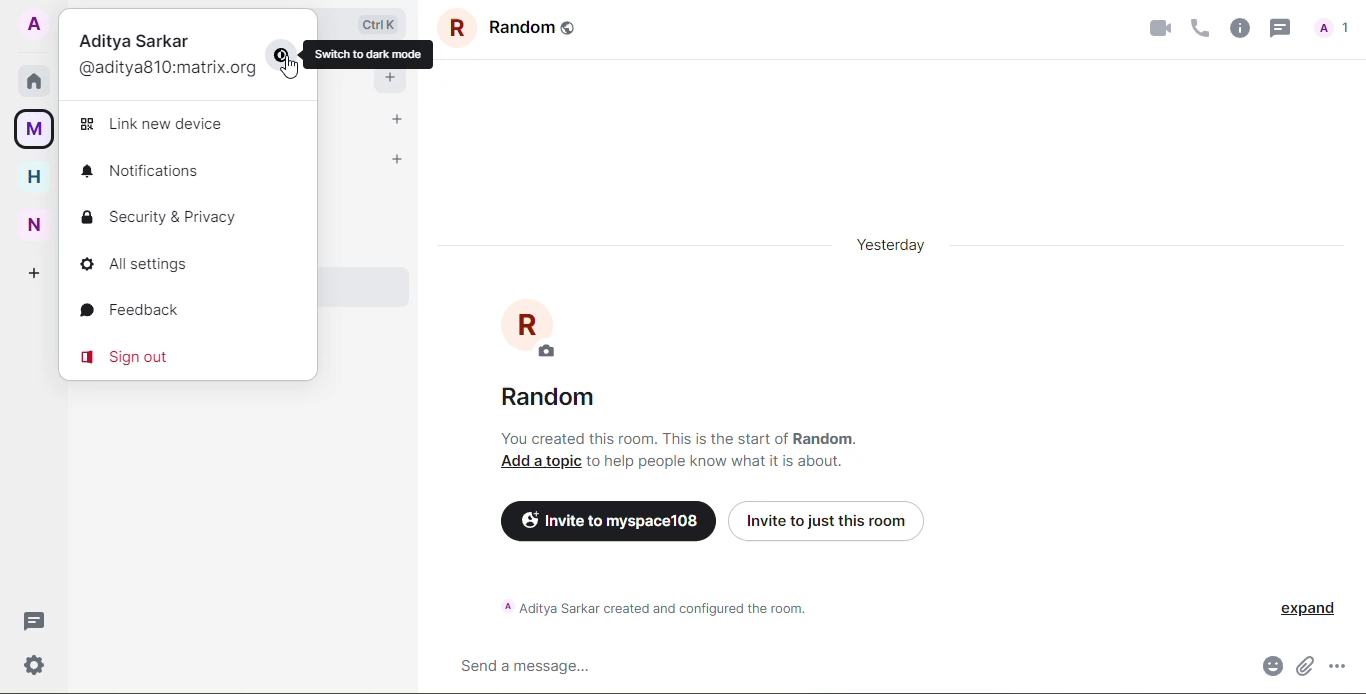 This screenshot has height=694, width=1366. I want to click on A Aditya Sarkar created and configured the room., so click(668, 614).